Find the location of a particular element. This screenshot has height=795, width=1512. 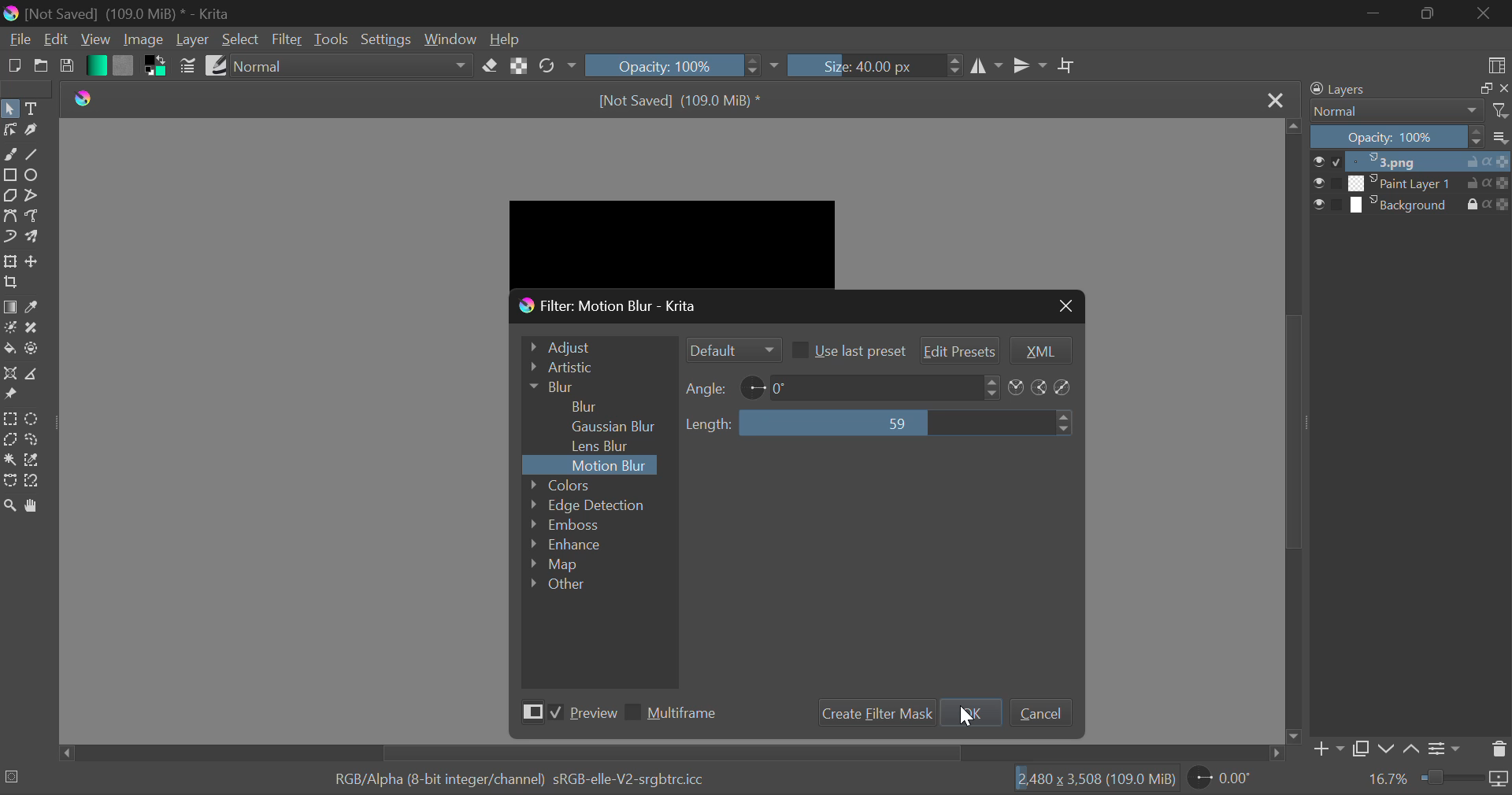

OK is located at coordinates (973, 715).